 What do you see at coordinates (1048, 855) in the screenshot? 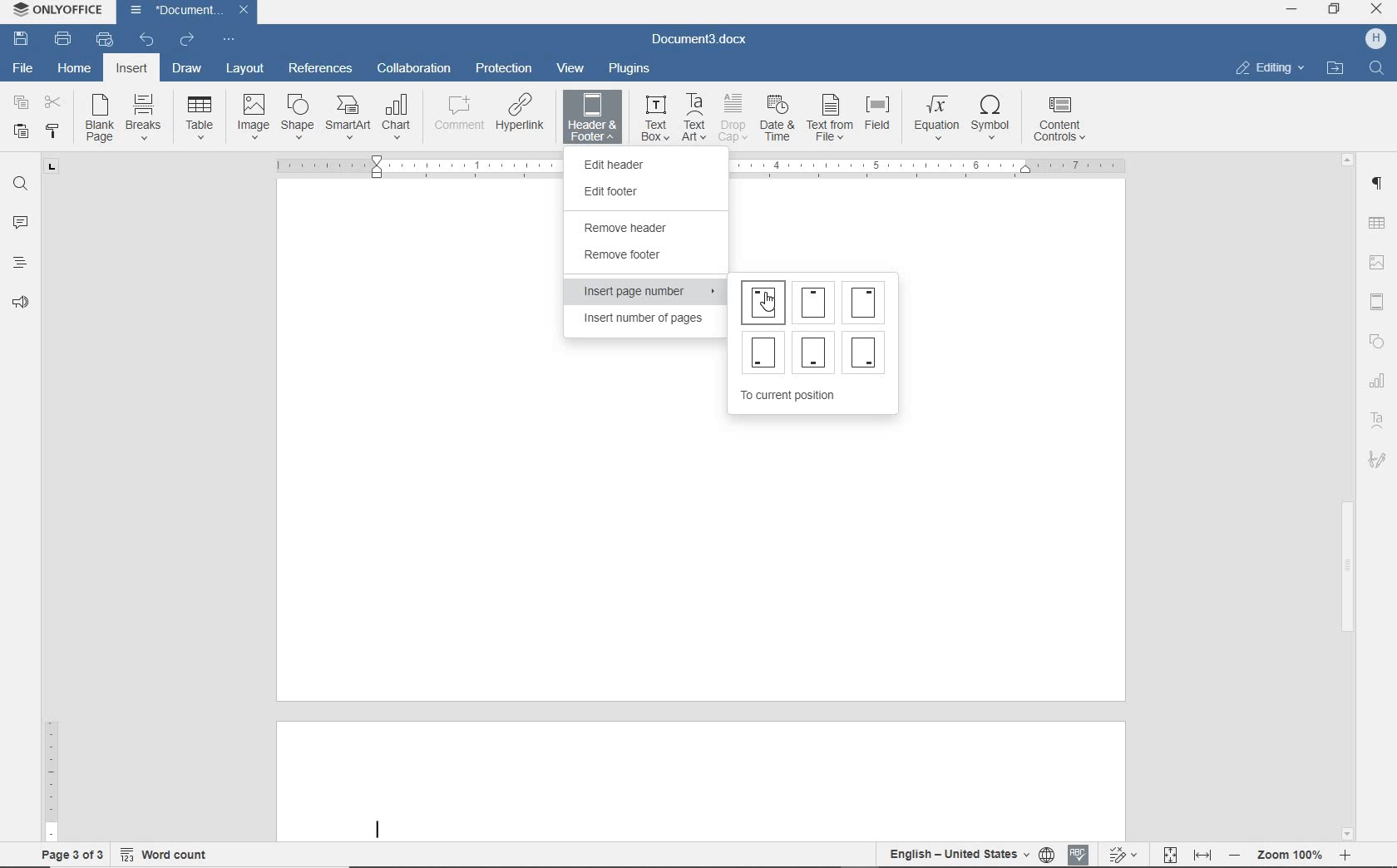
I see `SET DOCUMENT LANGUAGE` at bounding box center [1048, 855].